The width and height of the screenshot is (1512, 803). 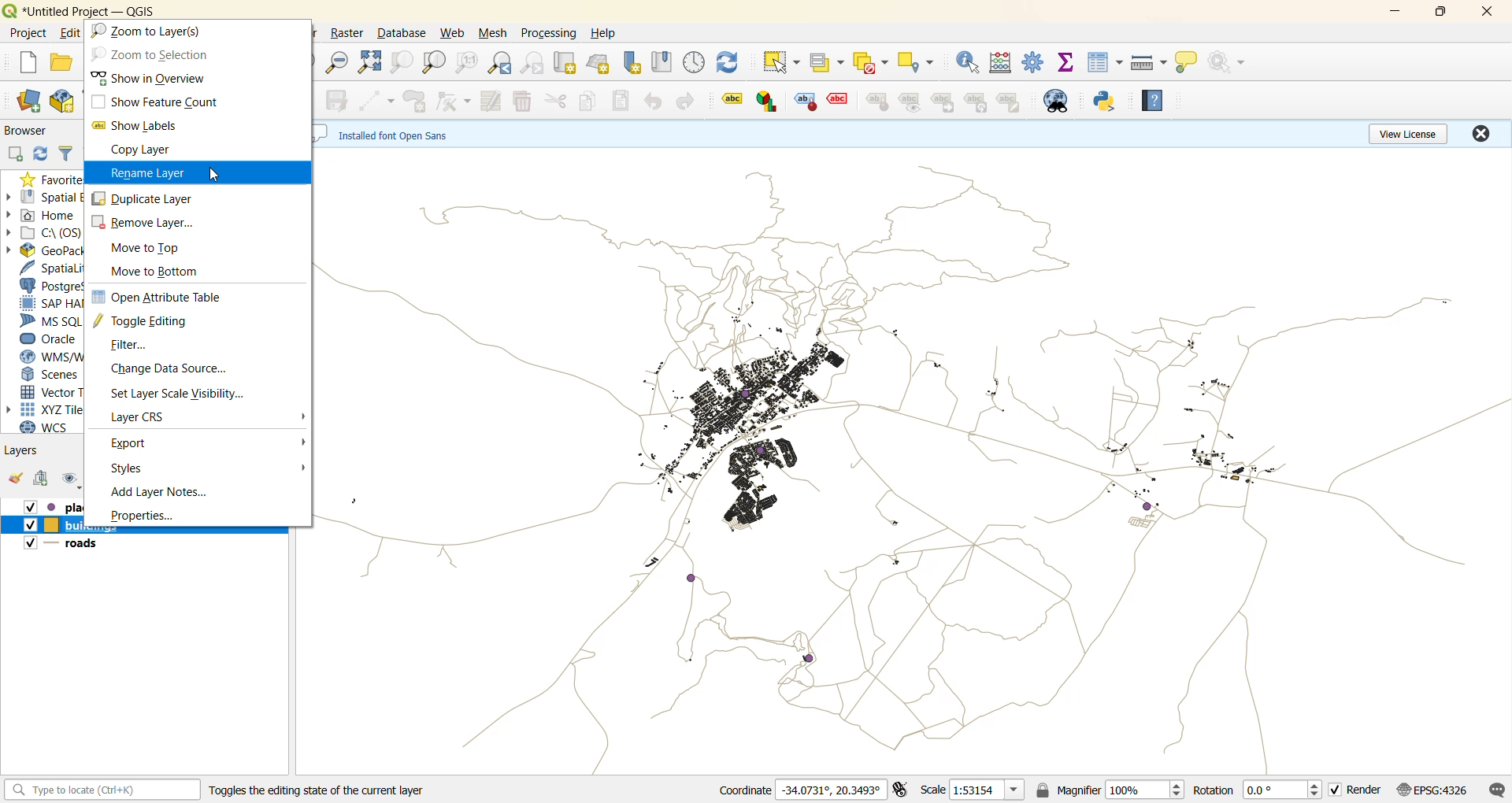 I want to click on zoom to selection, so click(x=157, y=54).